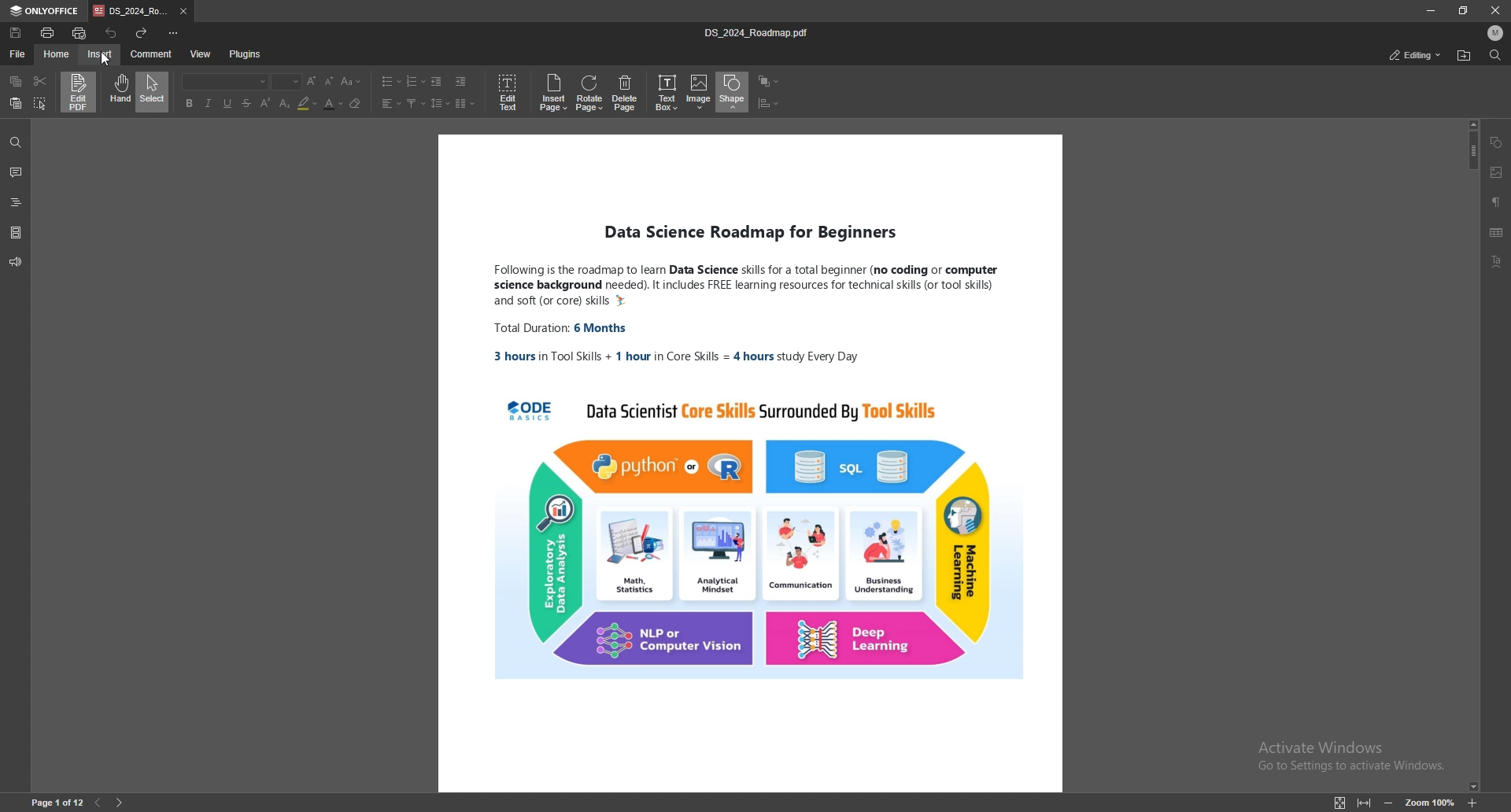 Image resolution: width=1511 pixels, height=812 pixels. I want to click on rotate page, so click(590, 93).